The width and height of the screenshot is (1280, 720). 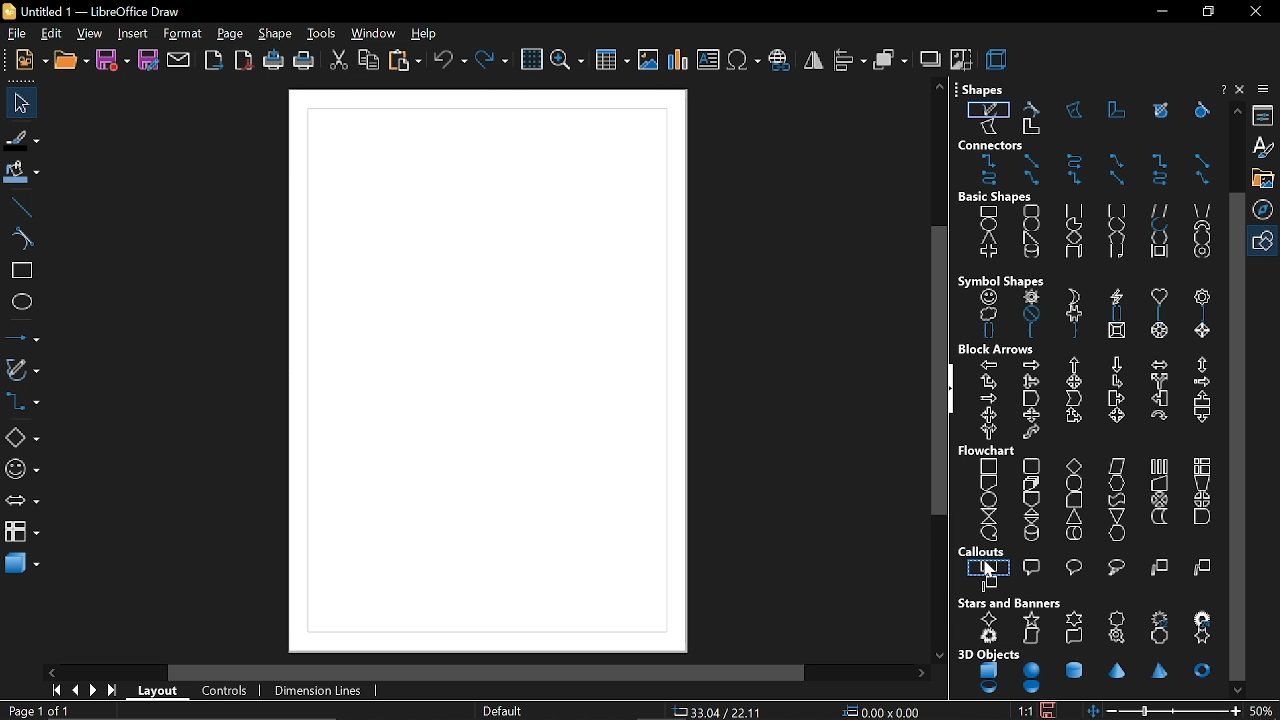 I want to click on insert text, so click(x=709, y=61).